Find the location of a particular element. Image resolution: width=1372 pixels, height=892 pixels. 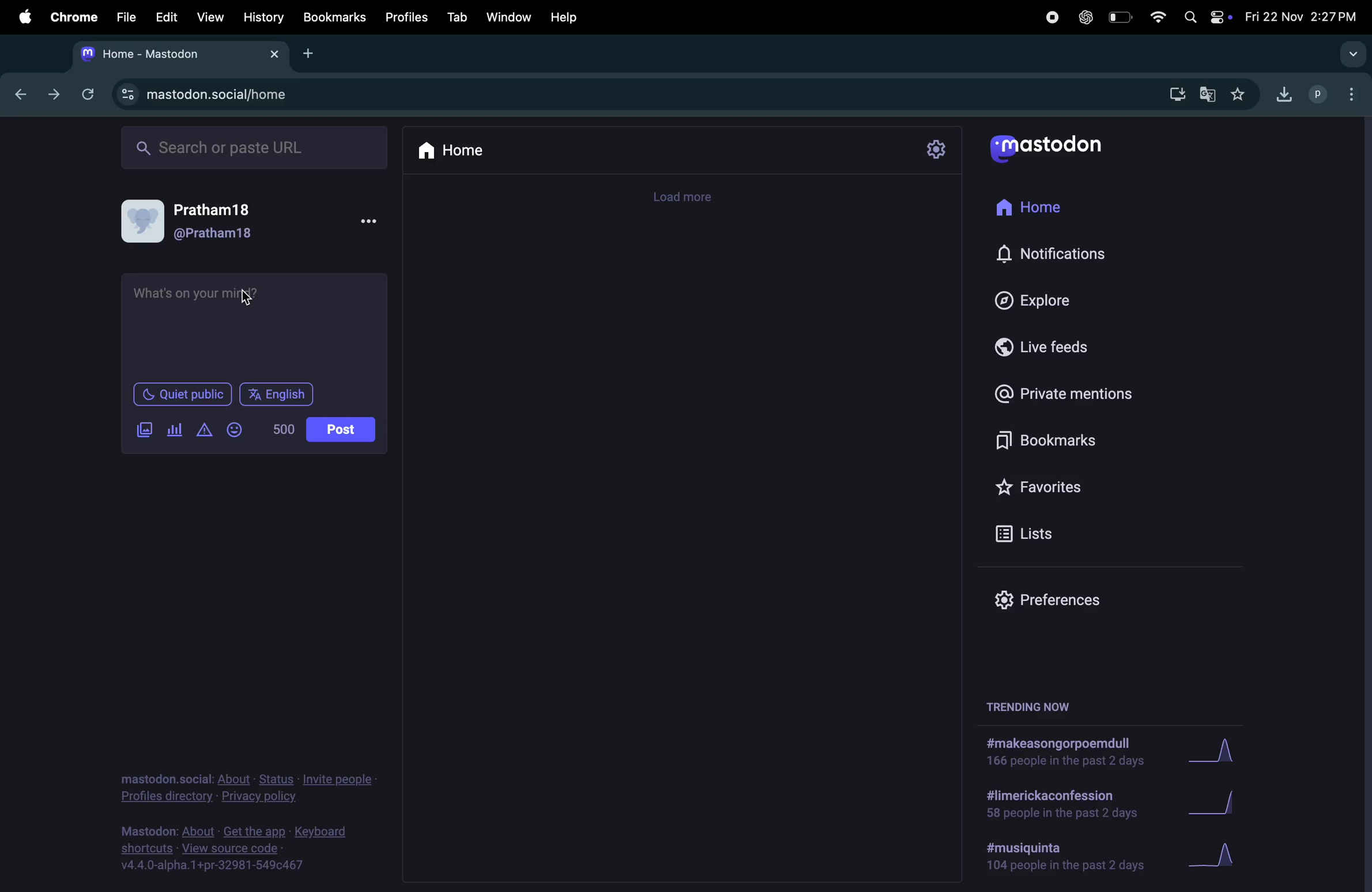

apple menu is located at coordinates (20, 16).